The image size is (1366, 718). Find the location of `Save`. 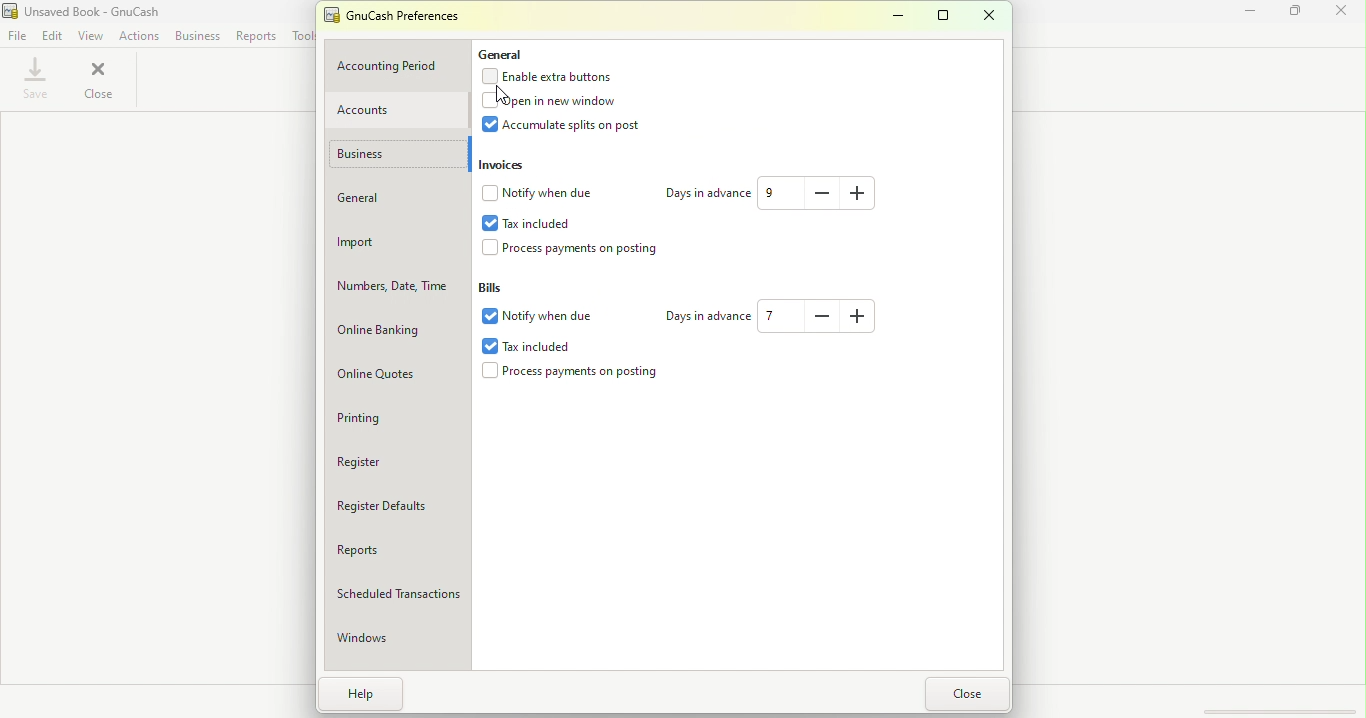

Save is located at coordinates (33, 80).